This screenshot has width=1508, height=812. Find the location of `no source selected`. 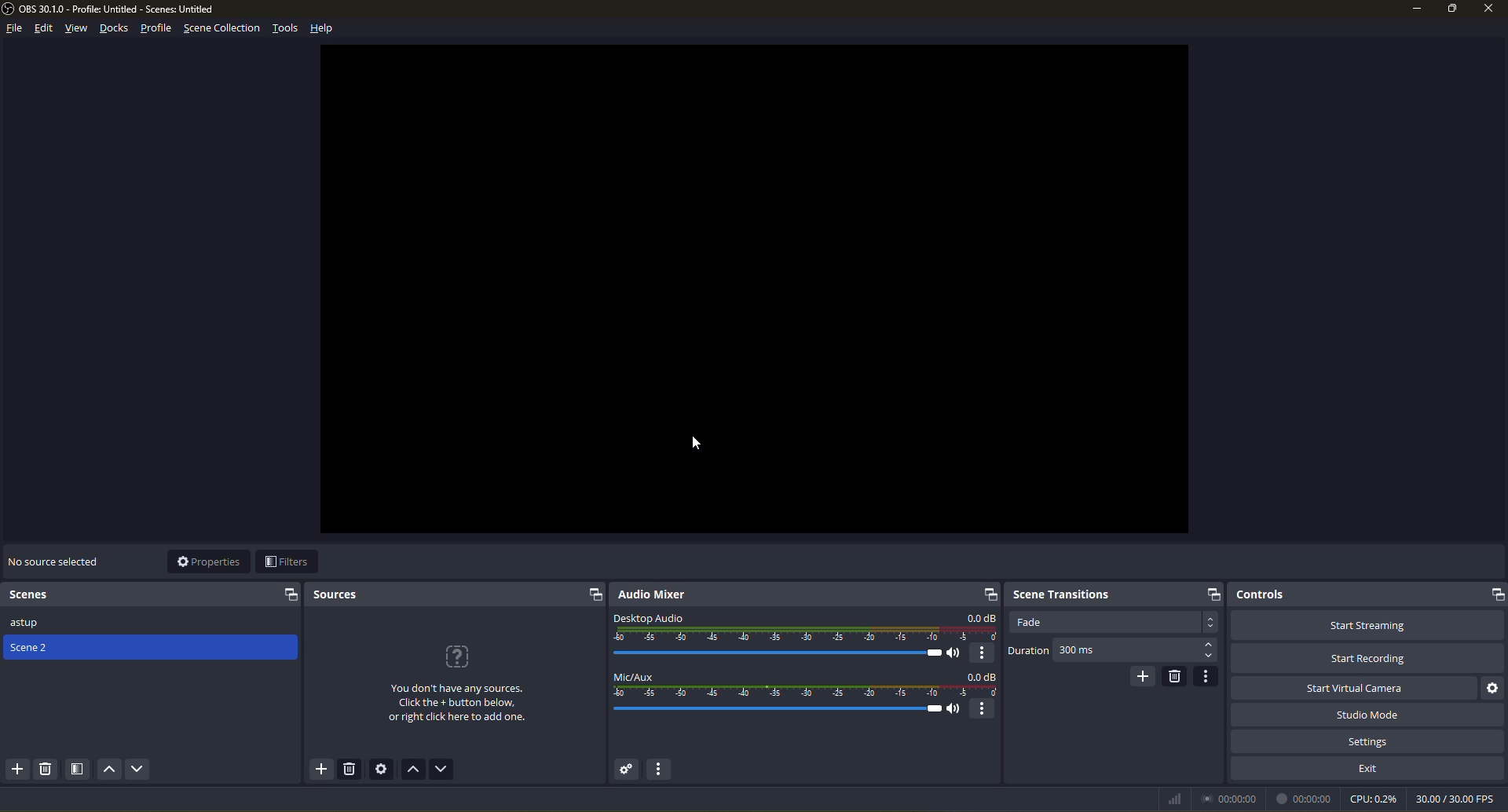

no source selected is located at coordinates (57, 560).